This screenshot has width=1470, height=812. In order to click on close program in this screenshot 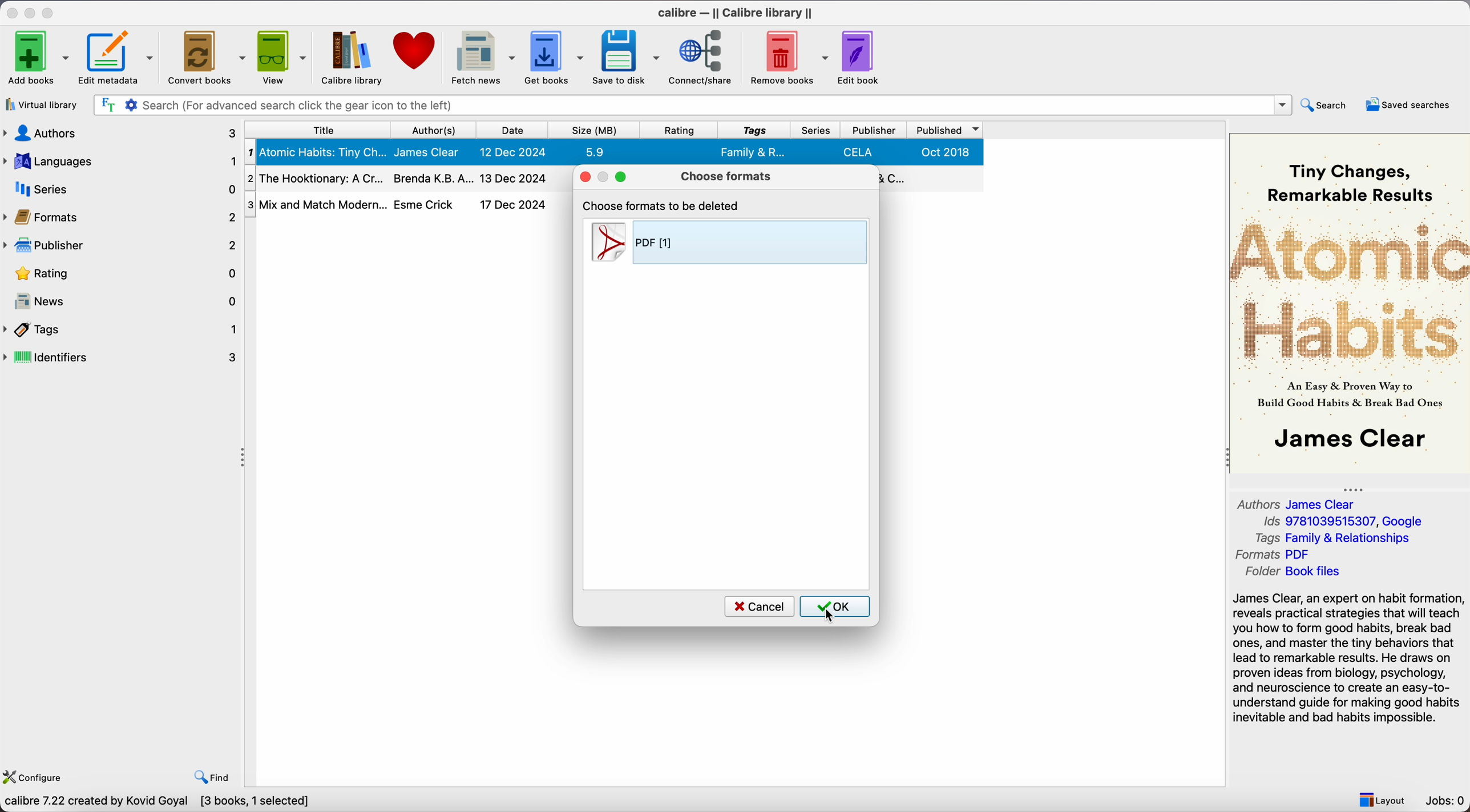, I will do `click(12, 12)`.